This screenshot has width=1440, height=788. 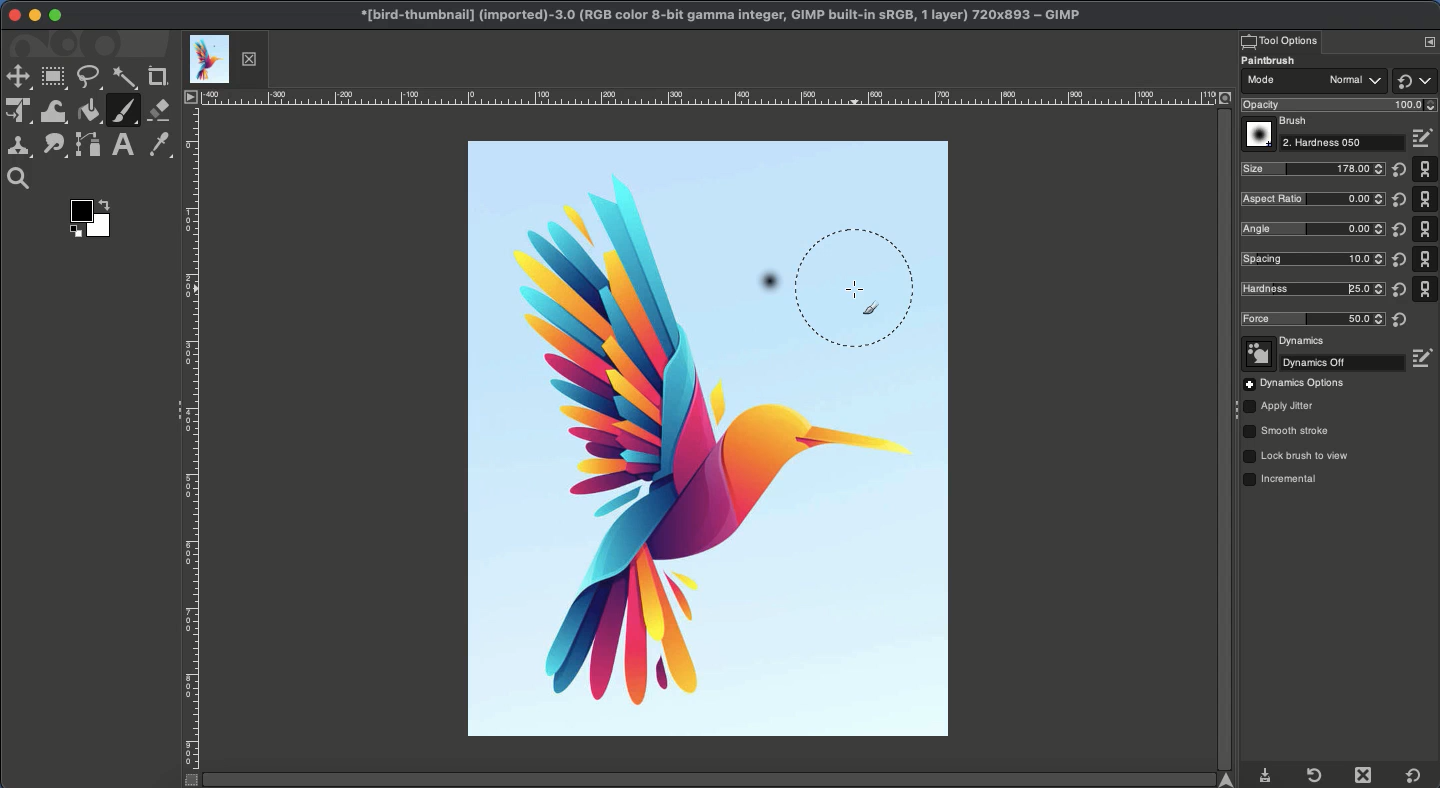 I want to click on Magnify, so click(x=23, y=179).